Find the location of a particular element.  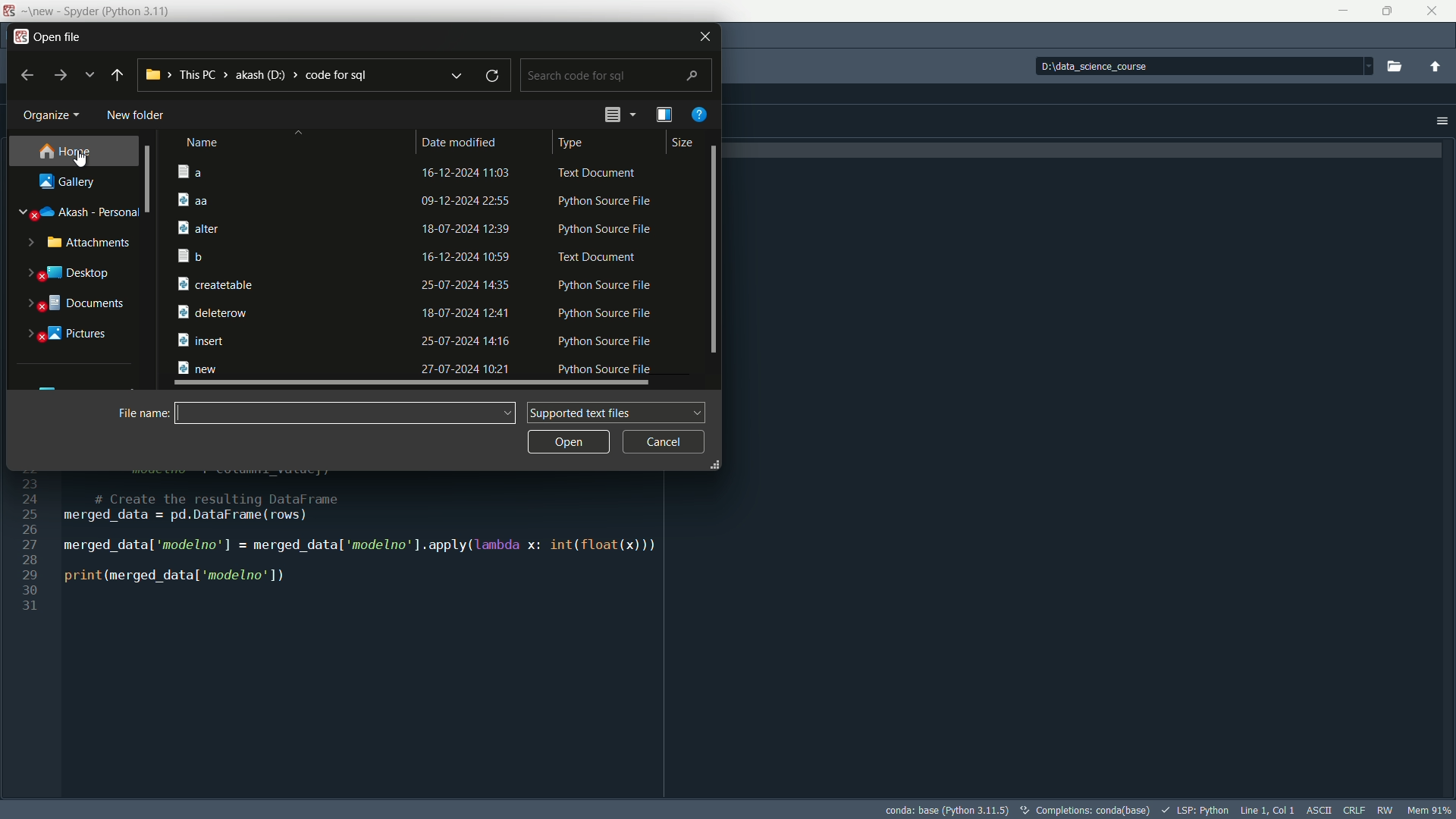

file encoding is located at coordinates (1319, 808).